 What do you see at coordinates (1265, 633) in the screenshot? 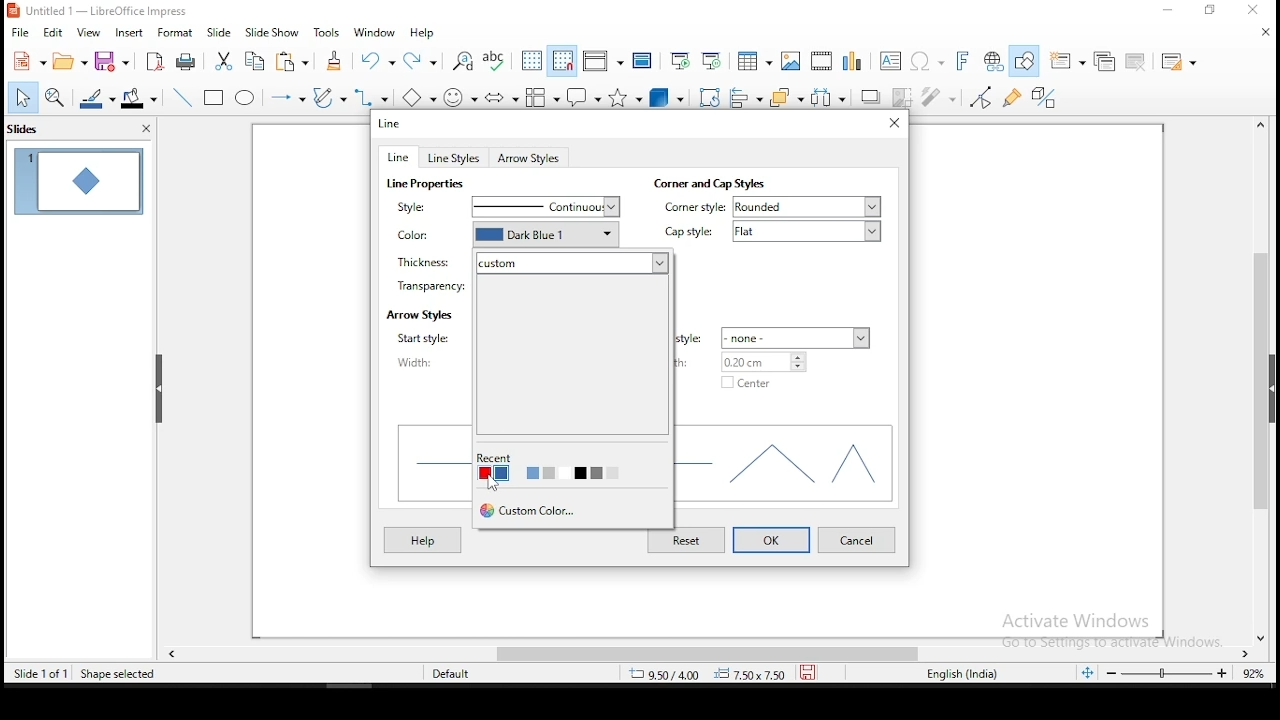
I see `close` at bounding box center [1265, 633].